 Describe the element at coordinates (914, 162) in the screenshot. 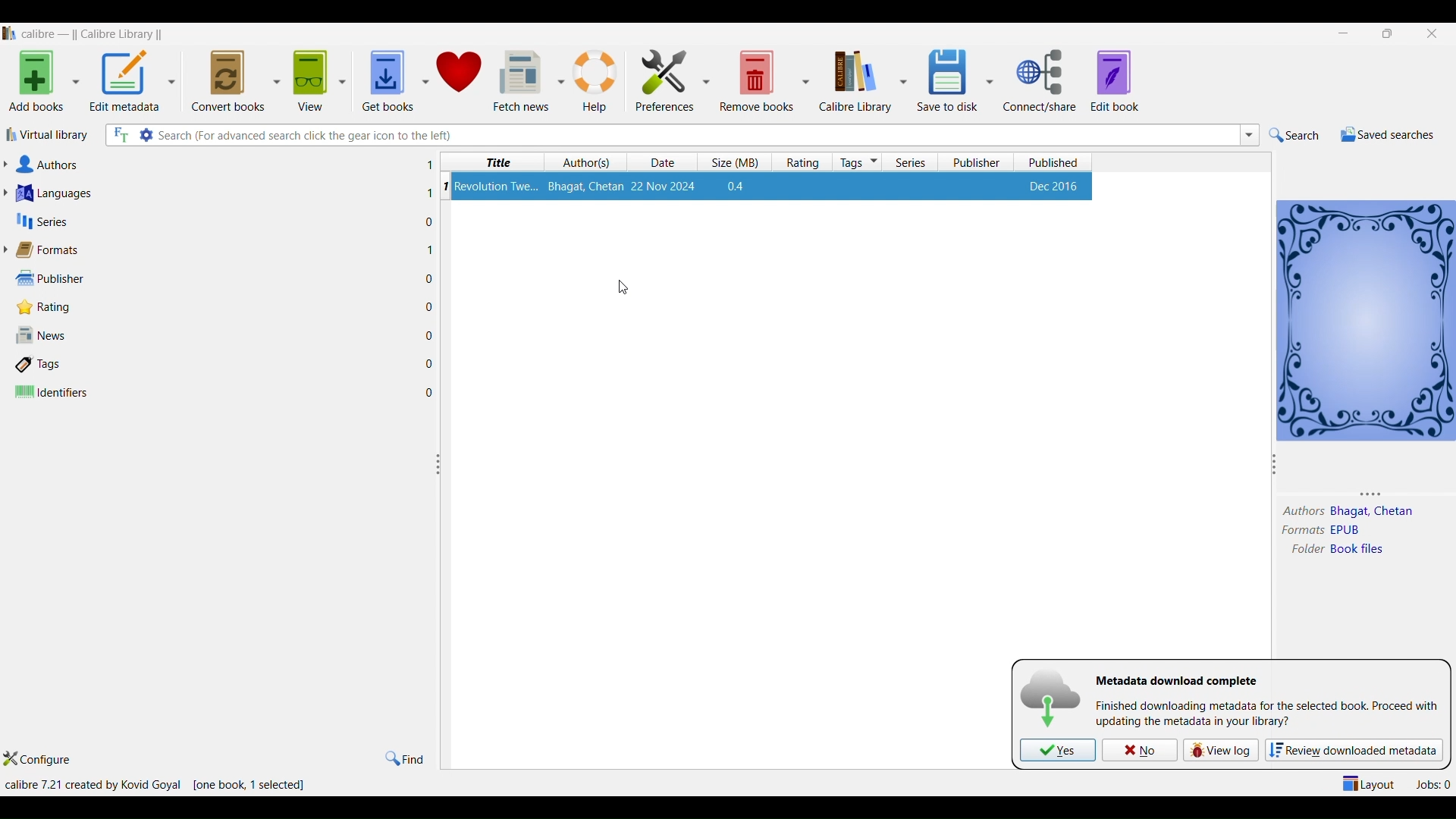

I see `series` at that location.